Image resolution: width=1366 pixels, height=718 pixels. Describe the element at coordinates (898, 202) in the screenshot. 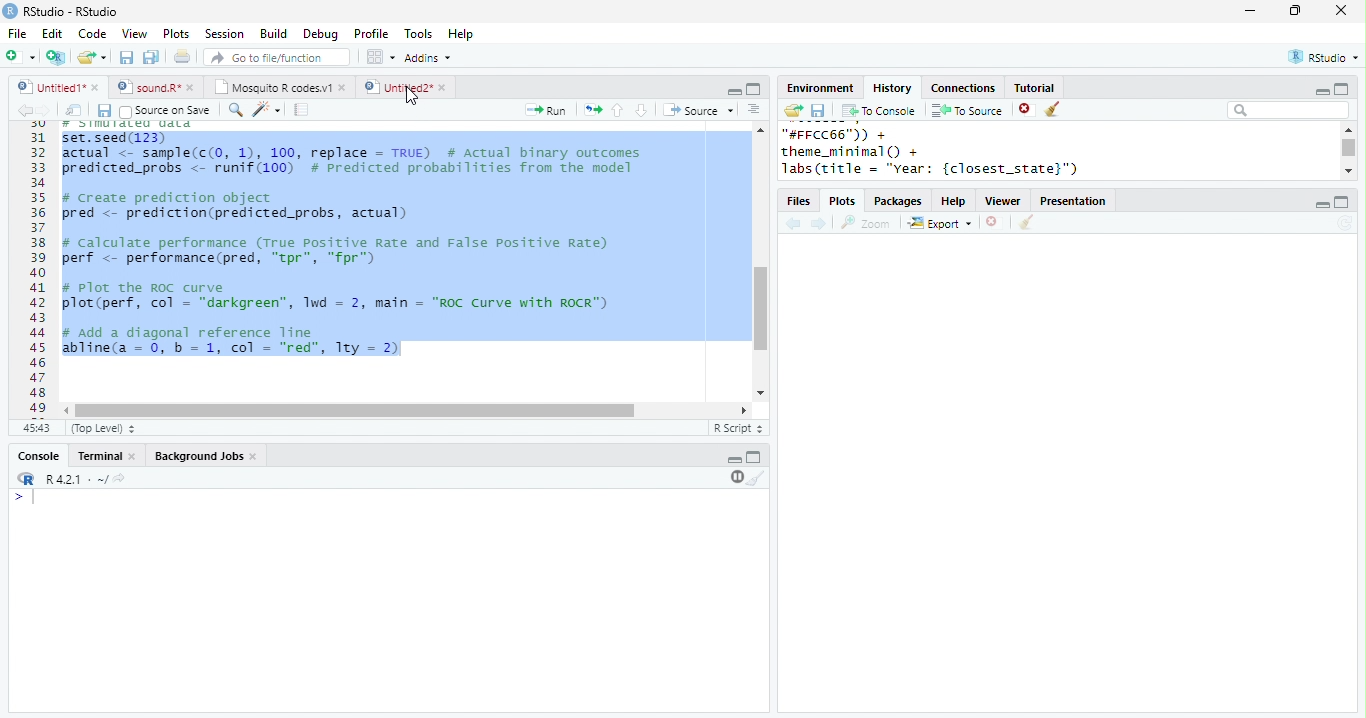

I see `Packages` at that location.